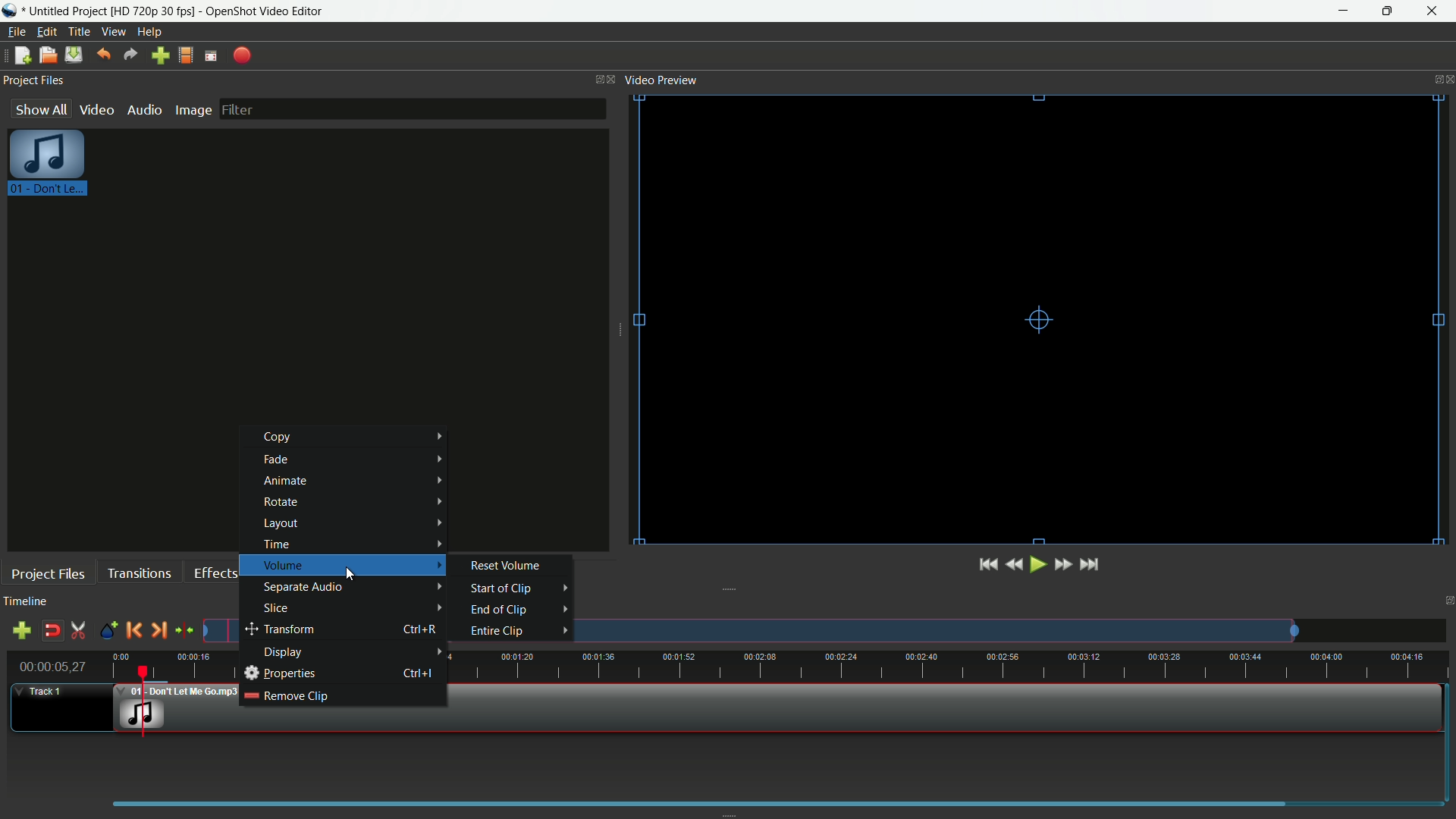 Image resolution: width=1456 pixels, height=819 pixels. What do you see at coordinates (14, 33) in the screenshot?
I see `file menu` at bounding box center [14, 33].